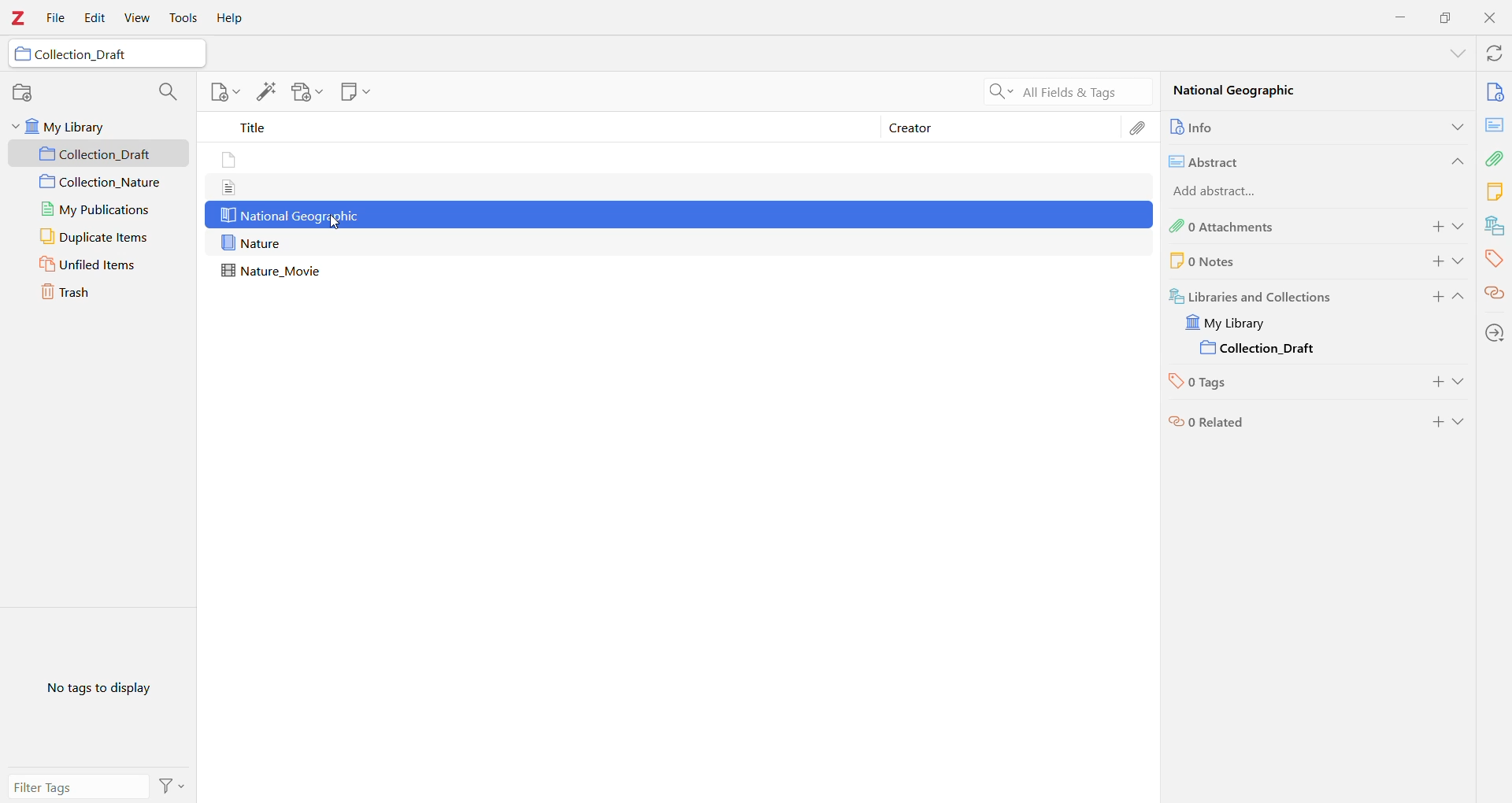  Describe the element at coordinates (1436, 422) in the screenshot. I see `Add` at that location.